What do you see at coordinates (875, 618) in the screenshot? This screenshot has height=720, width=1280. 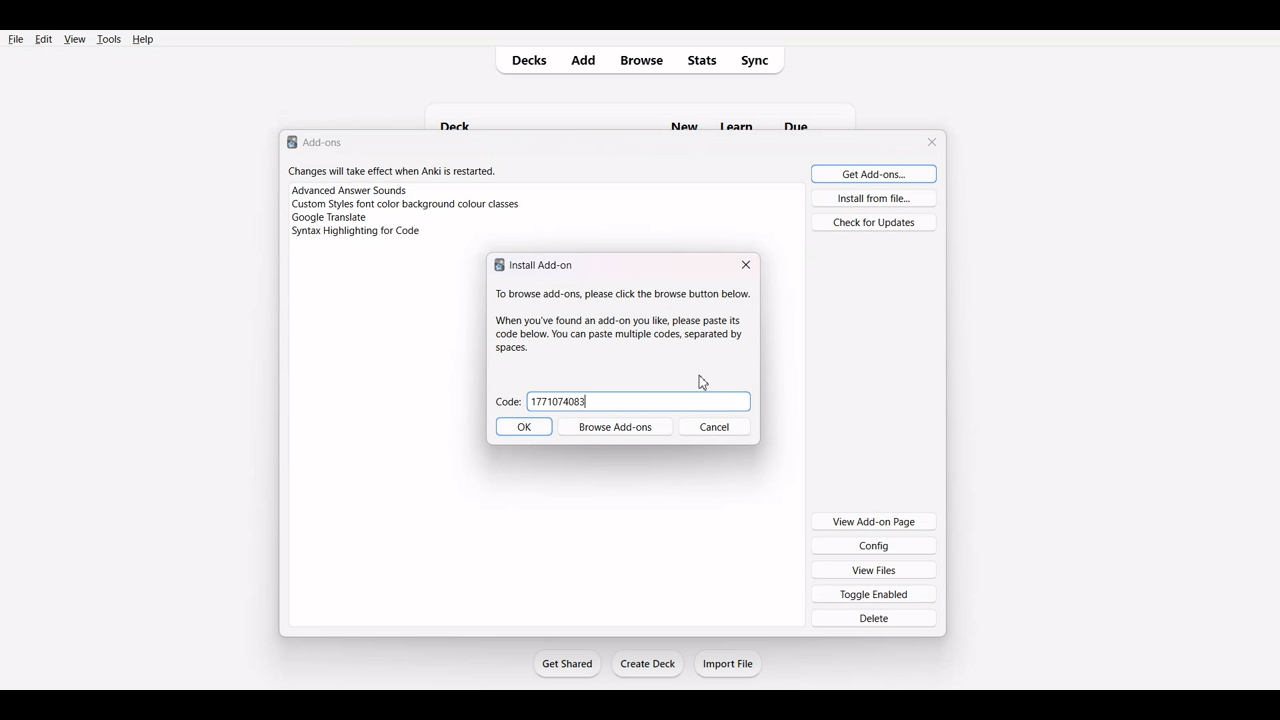 I see `Delete` at bounding box center [875, 618].